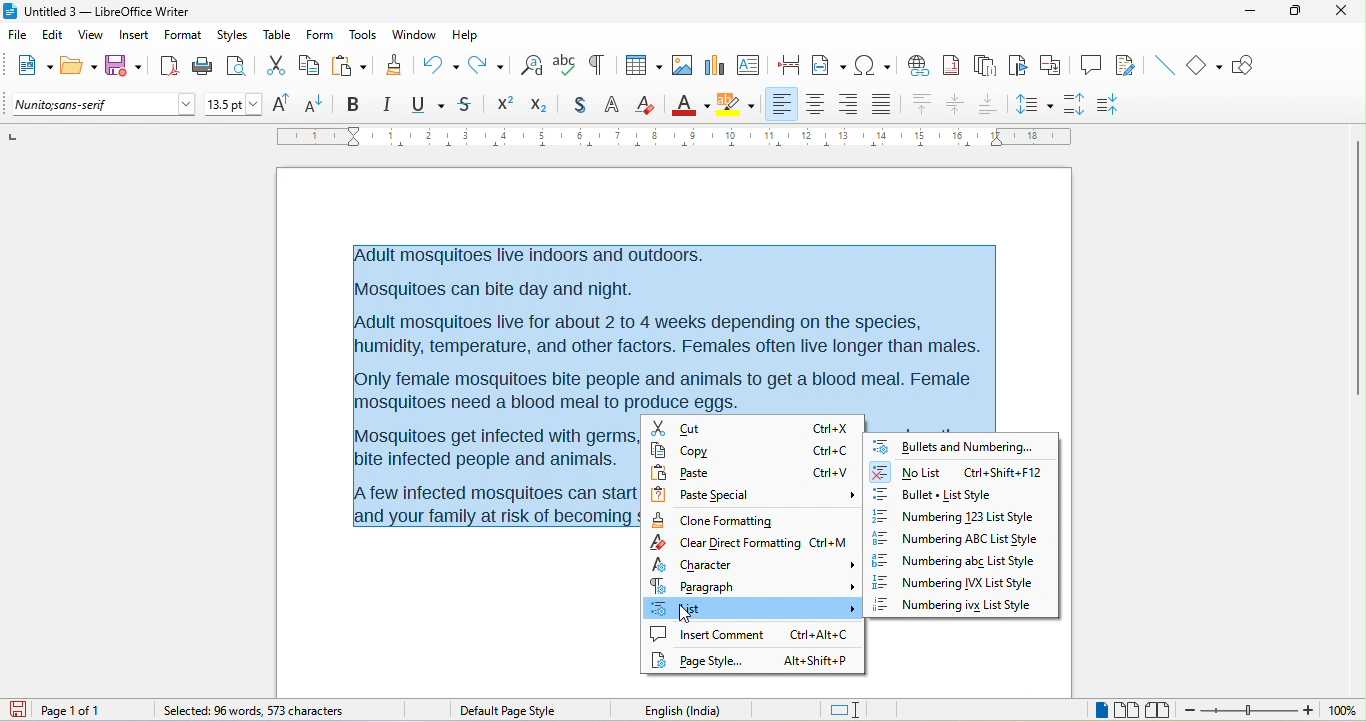  Describe the element at coordinates (105, 11) in the screenshot. I see `Untitled 3 — LibreOffice Writer` at that location.